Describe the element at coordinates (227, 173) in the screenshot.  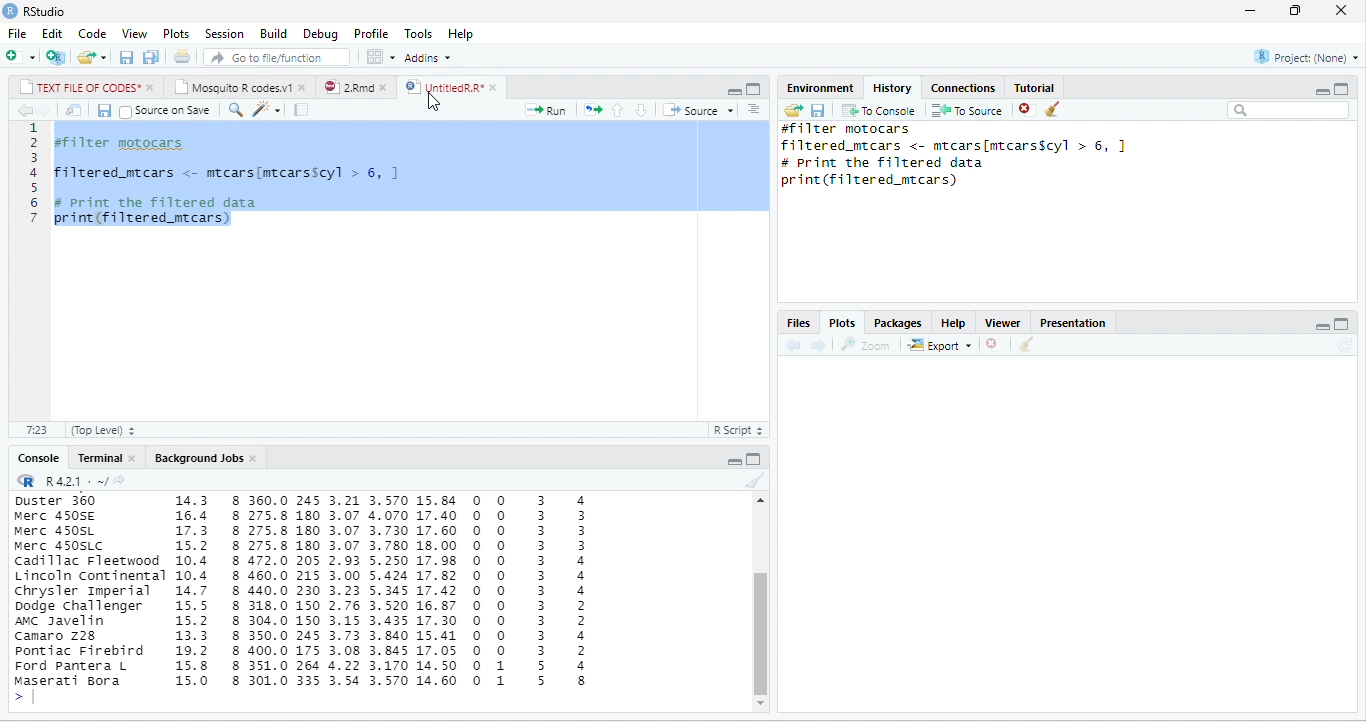
I see `filtered_mtcars <- mtcars[mtcarsscyl > 6, ]` at that location.